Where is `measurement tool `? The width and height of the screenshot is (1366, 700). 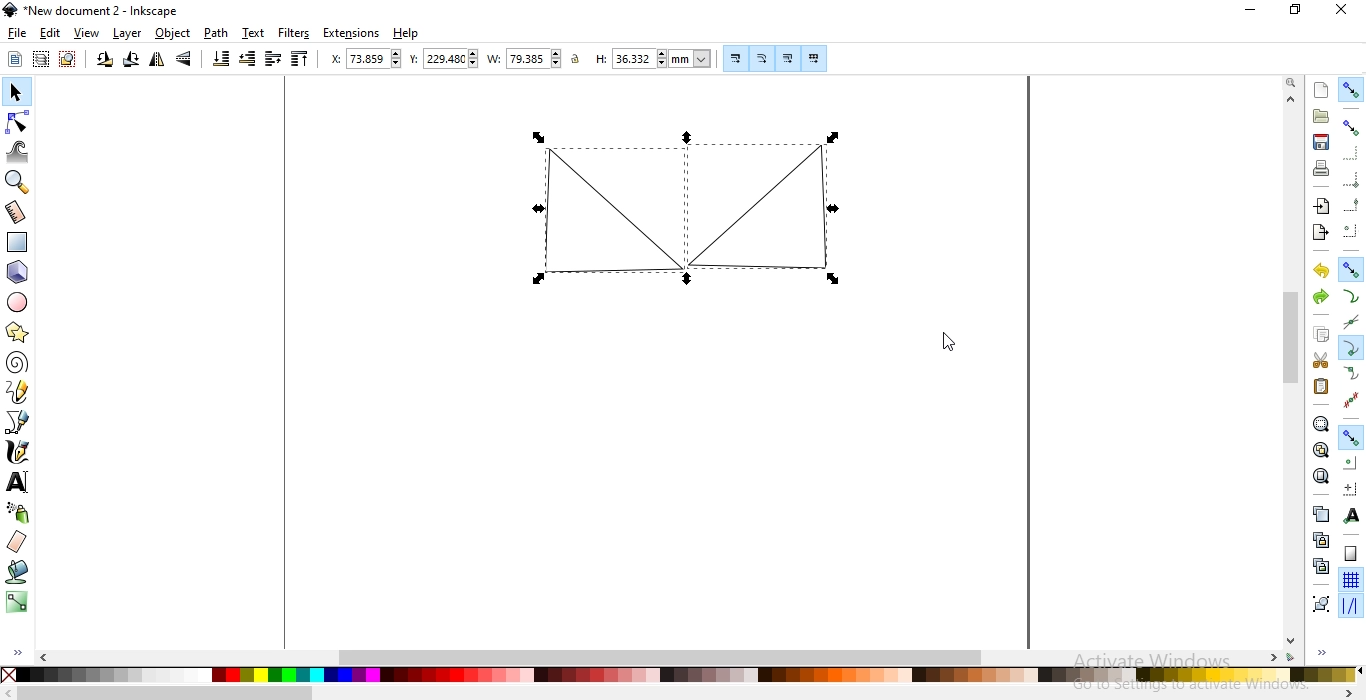 measurement tool  is located at coordinates (16, 212).